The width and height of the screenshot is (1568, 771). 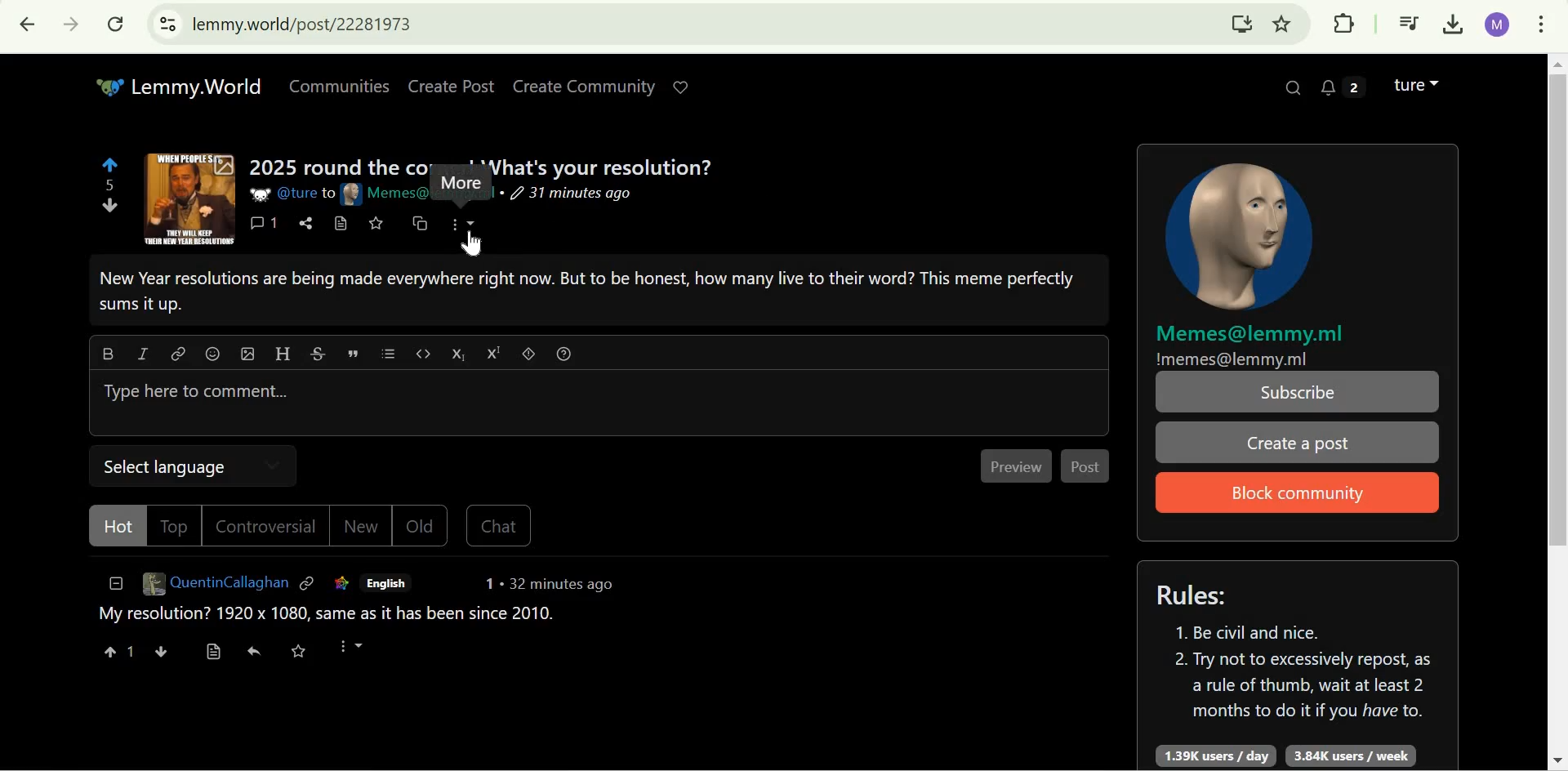 I want to click on Top, so click(x=177, y=526).